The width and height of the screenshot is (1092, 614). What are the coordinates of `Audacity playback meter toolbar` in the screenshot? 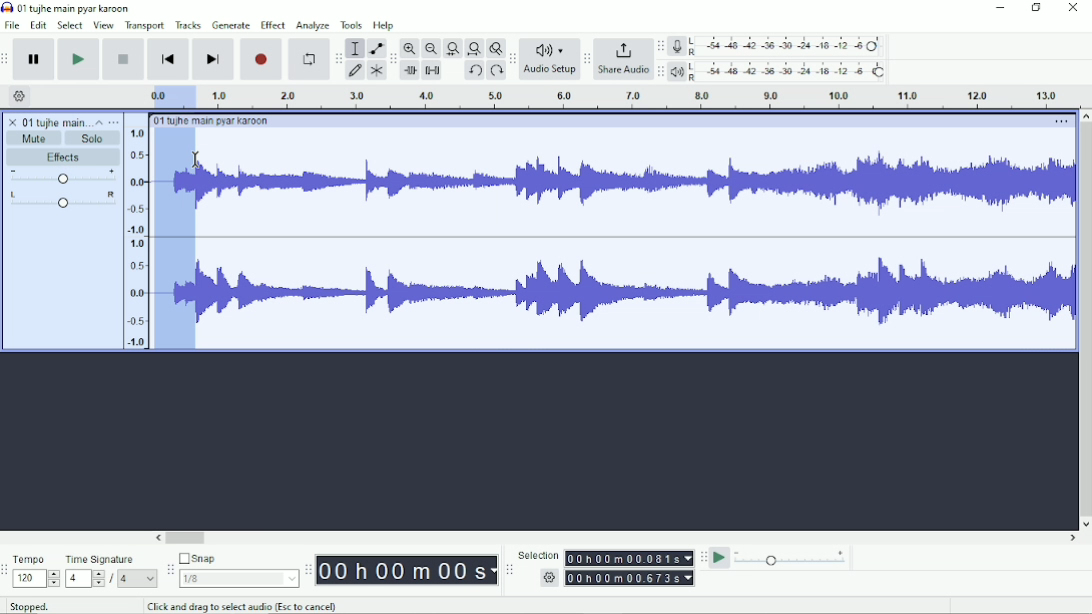 It's located at (660, 71).